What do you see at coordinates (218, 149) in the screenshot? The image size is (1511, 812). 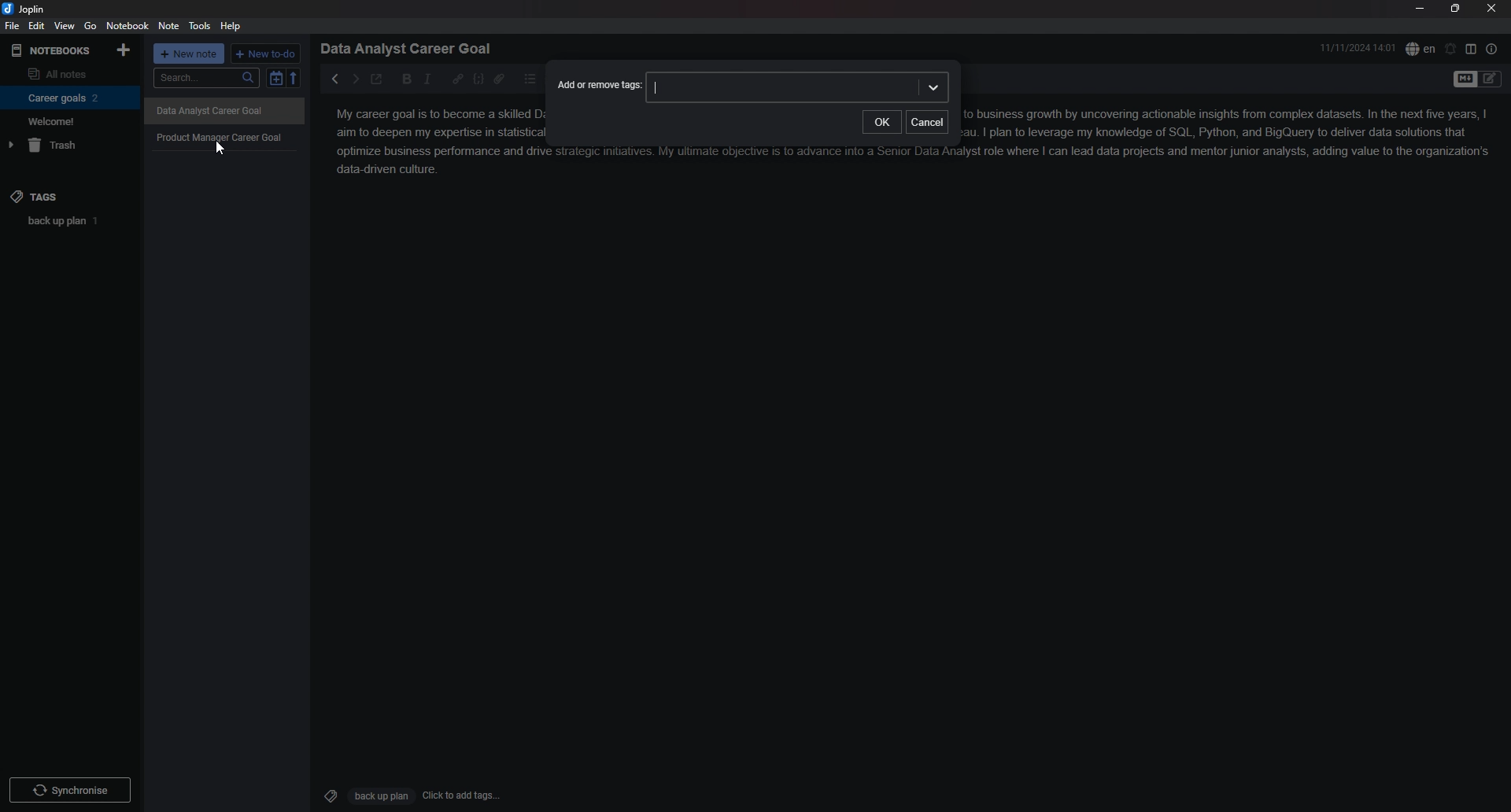 I see `Cursor` at bounding box center [218, 149].